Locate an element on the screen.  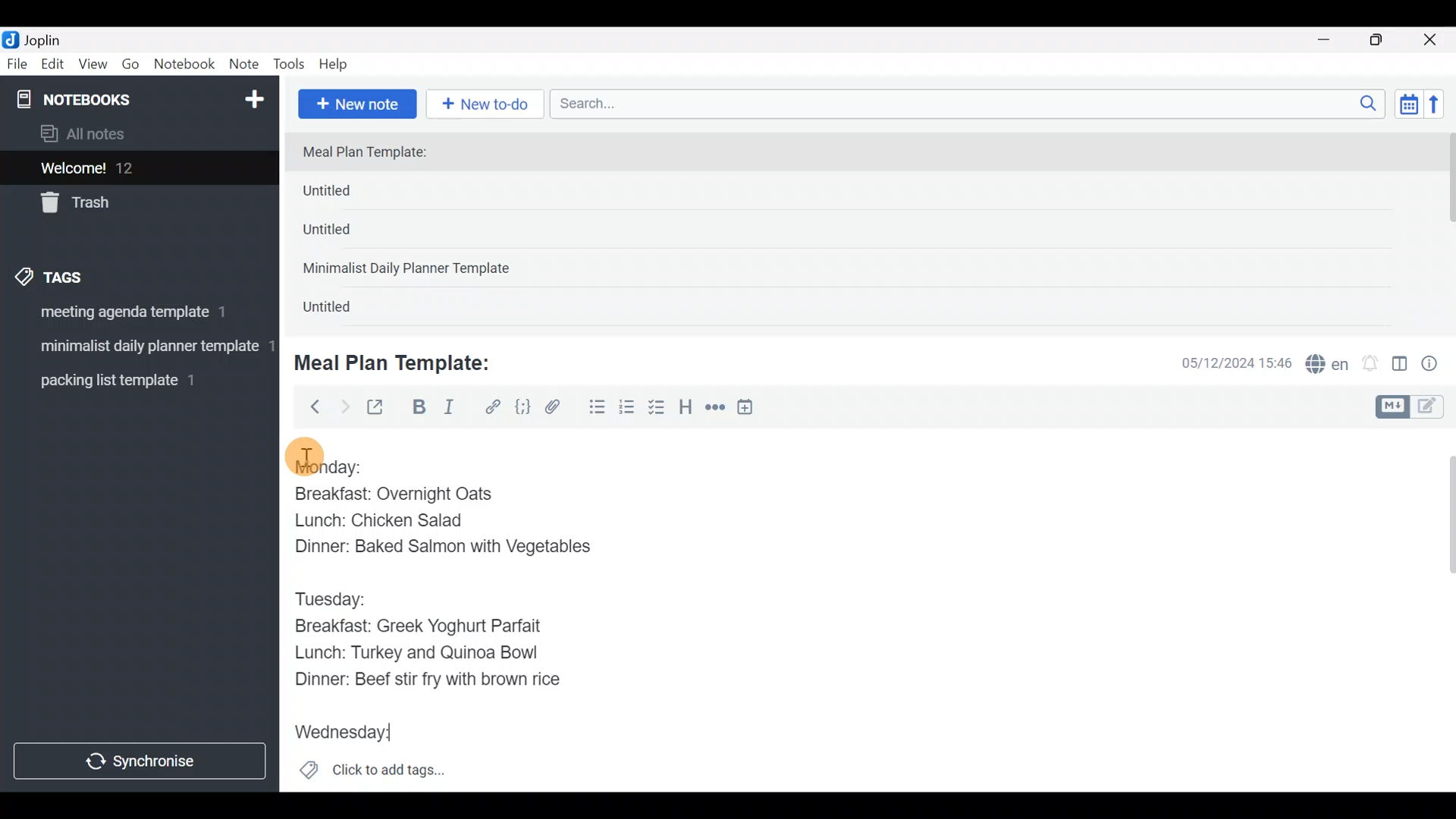
Lunch: Chicken Salad is located at coordinates (375, 521).